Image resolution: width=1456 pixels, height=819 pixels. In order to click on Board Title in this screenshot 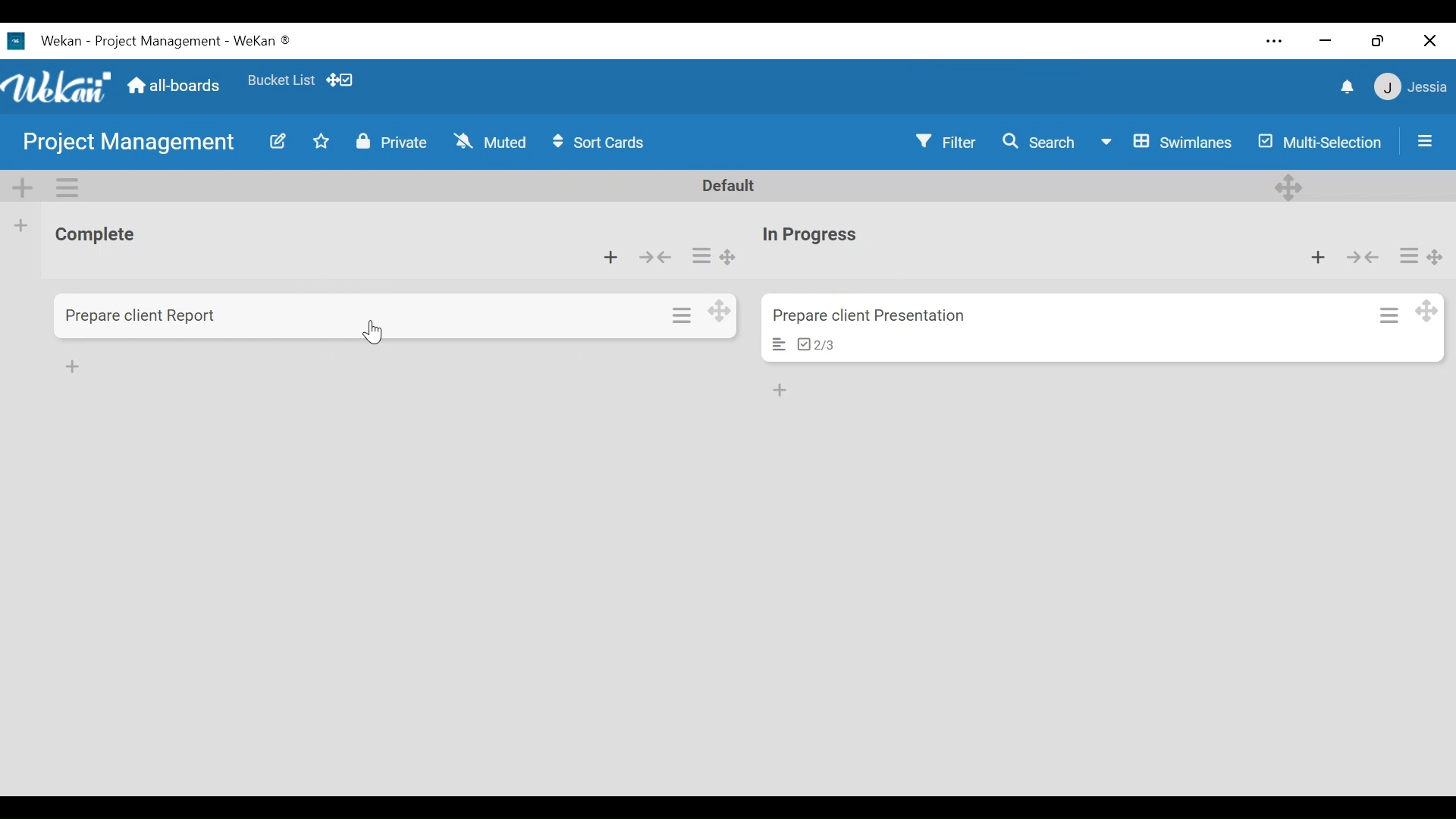, I will do `click(193, 42)`.